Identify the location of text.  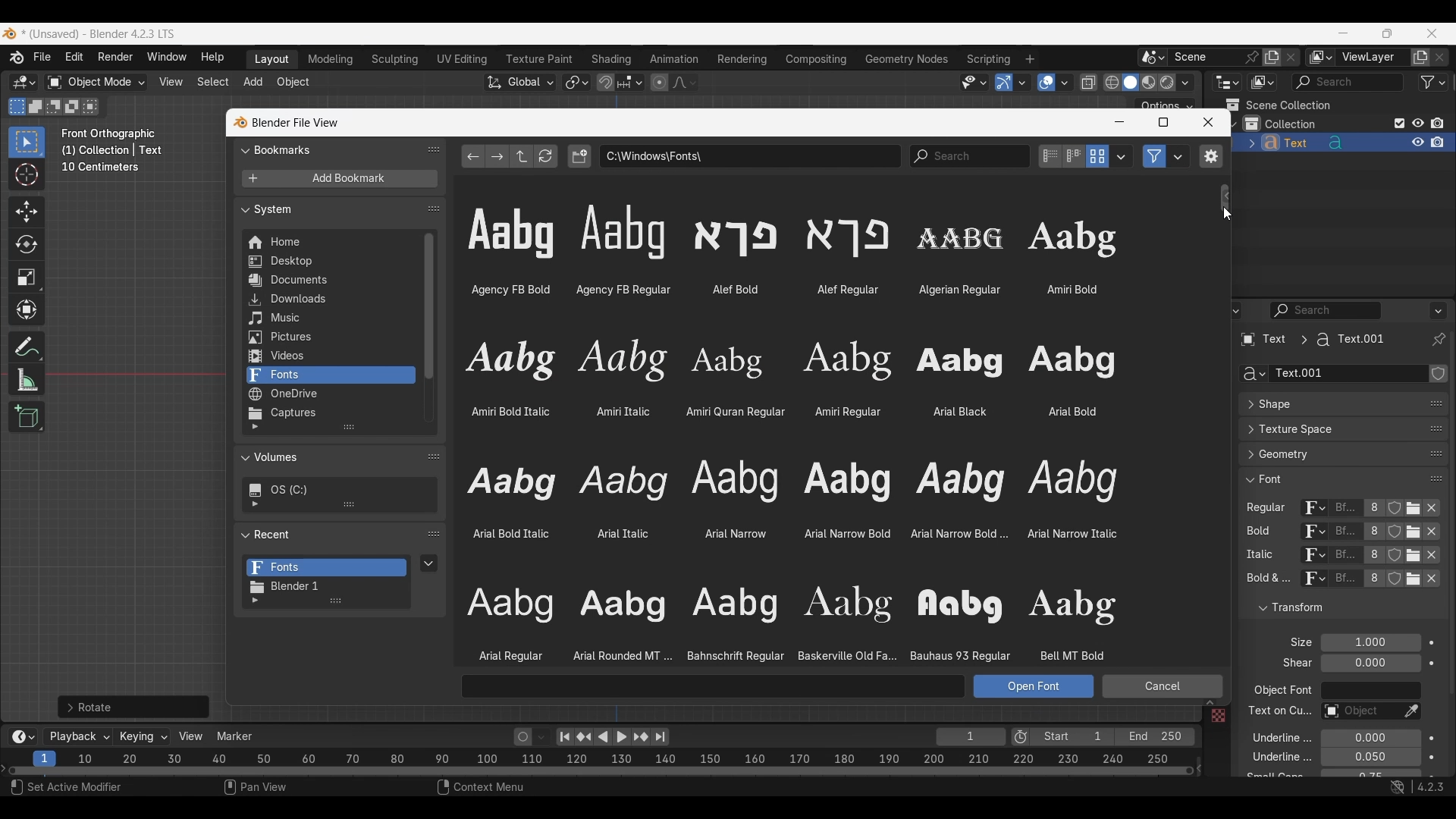
(1293, 664).